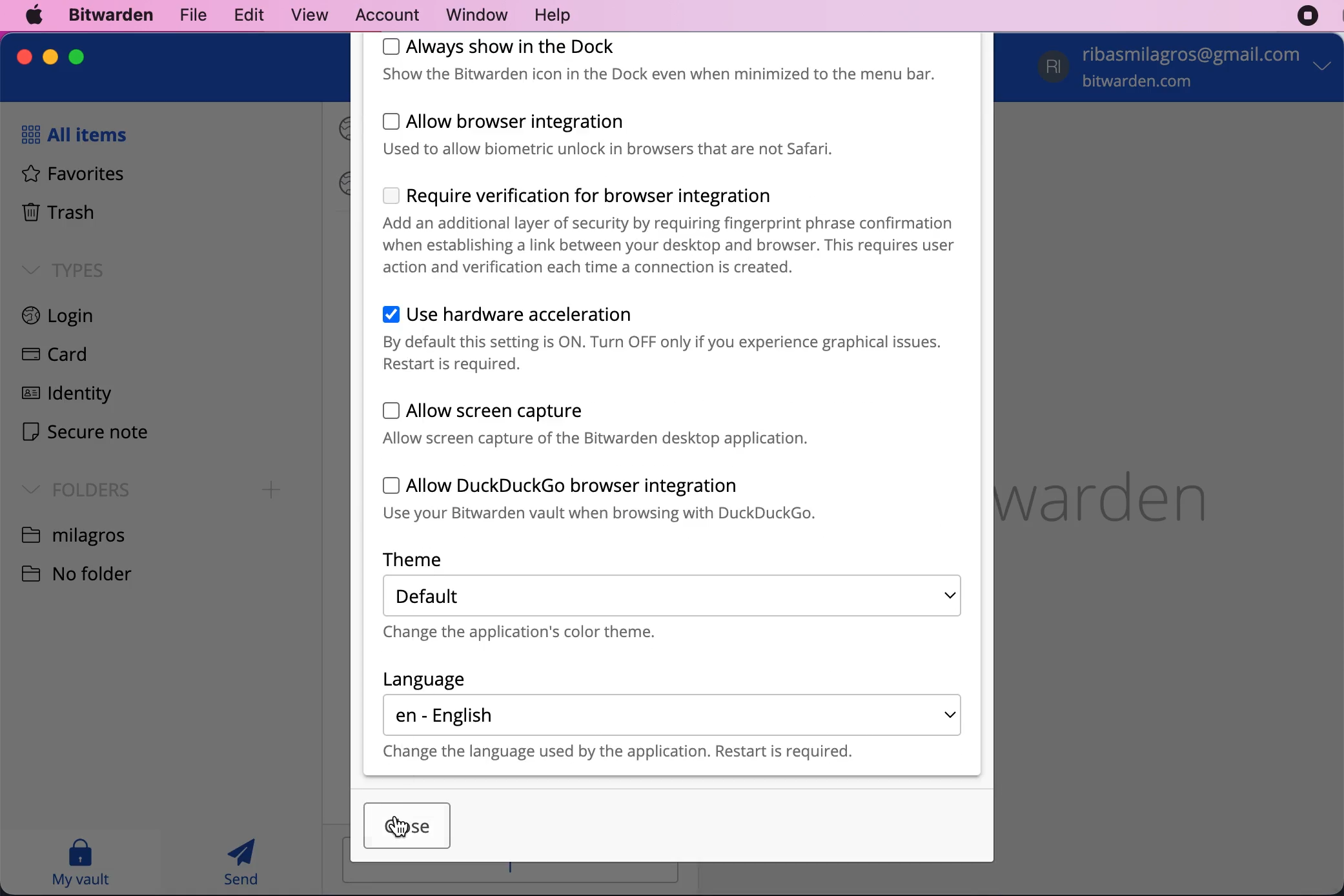  What do you see at coordinates (540, 635) in the screenshot?
I see `change the application's color theme` at bounding box center [540, 635].